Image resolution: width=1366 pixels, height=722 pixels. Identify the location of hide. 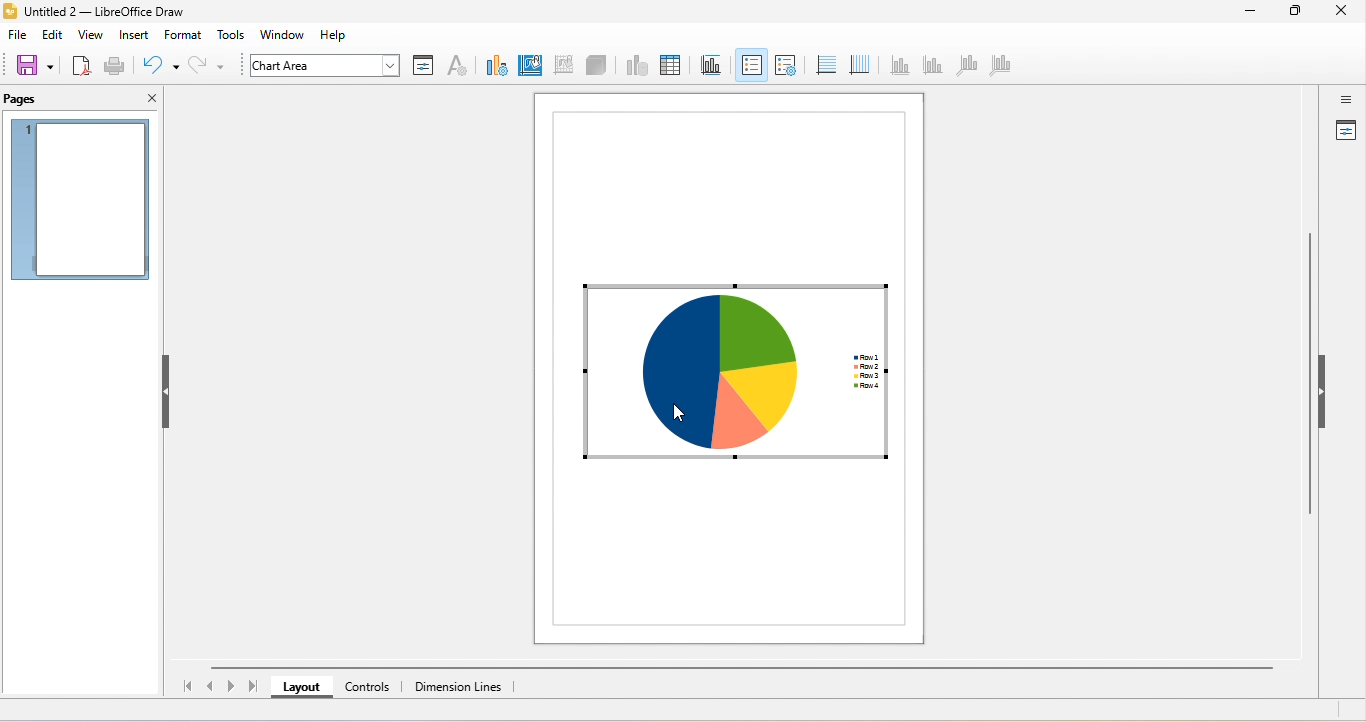
(168, 391).